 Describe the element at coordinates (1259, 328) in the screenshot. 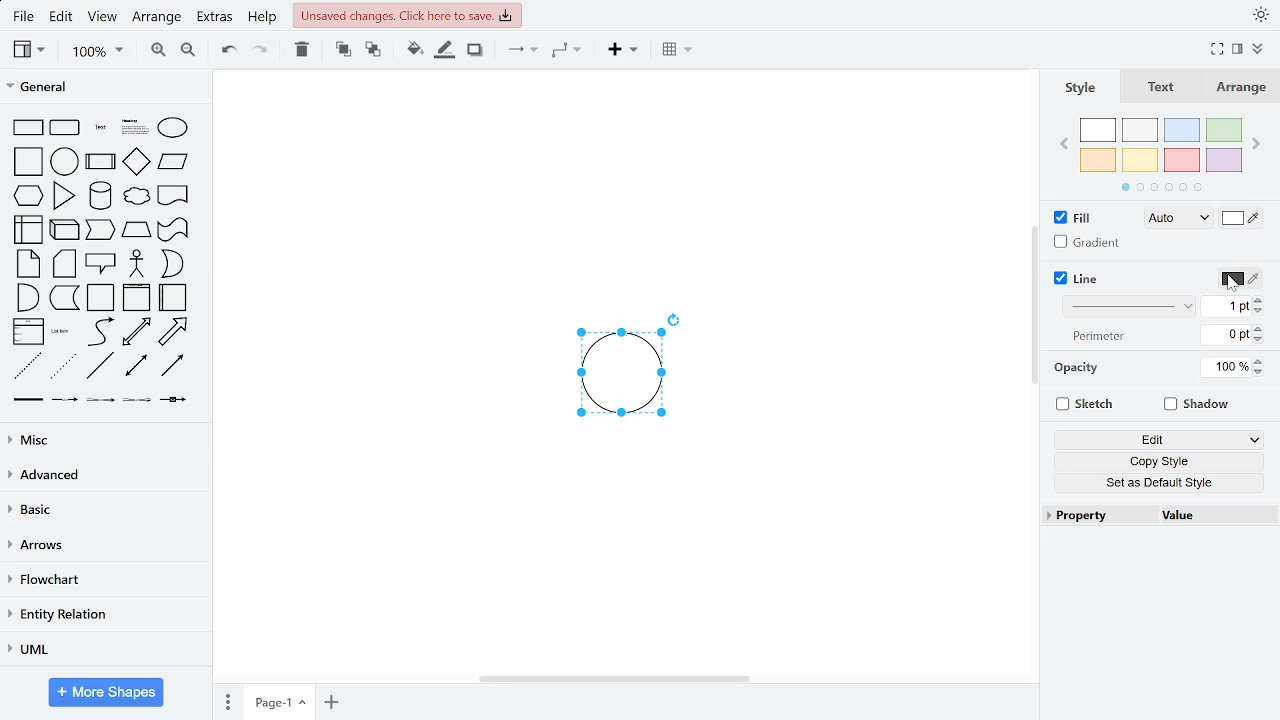

I see `increase perimeter` at that location.